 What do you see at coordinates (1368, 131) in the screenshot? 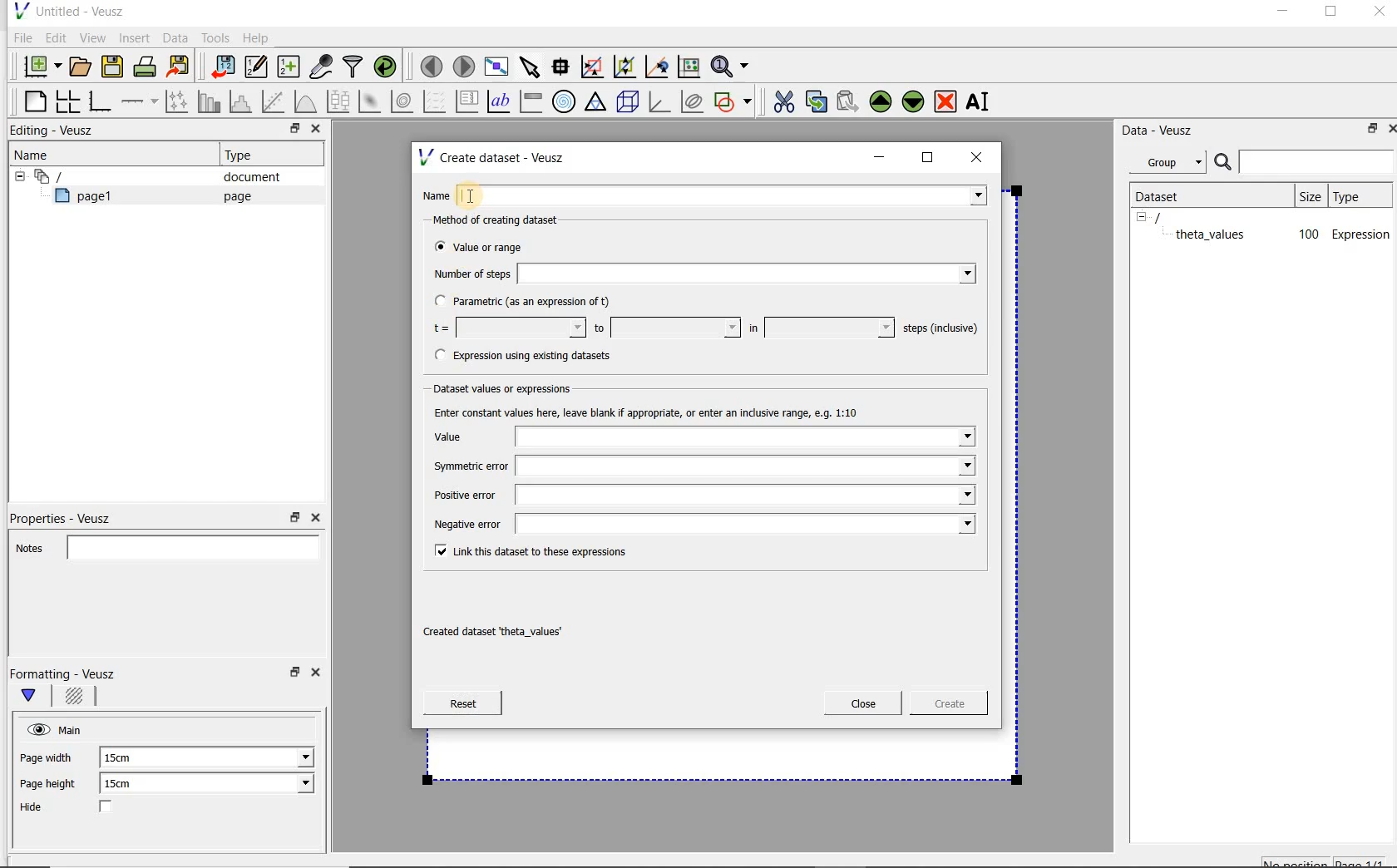
I see `restore down` at bounding box center [1368, 131].